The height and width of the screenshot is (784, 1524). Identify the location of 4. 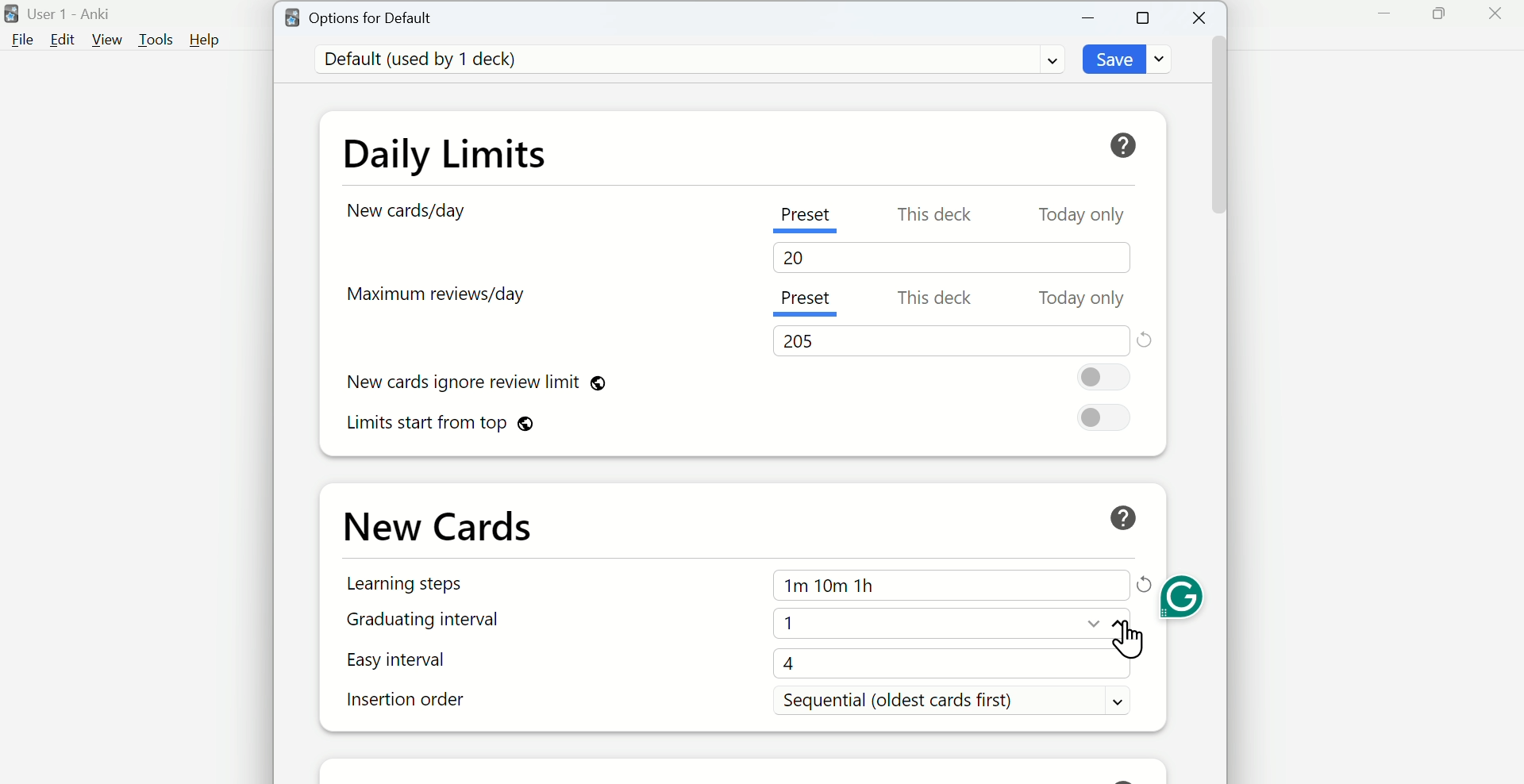
(956, 659).